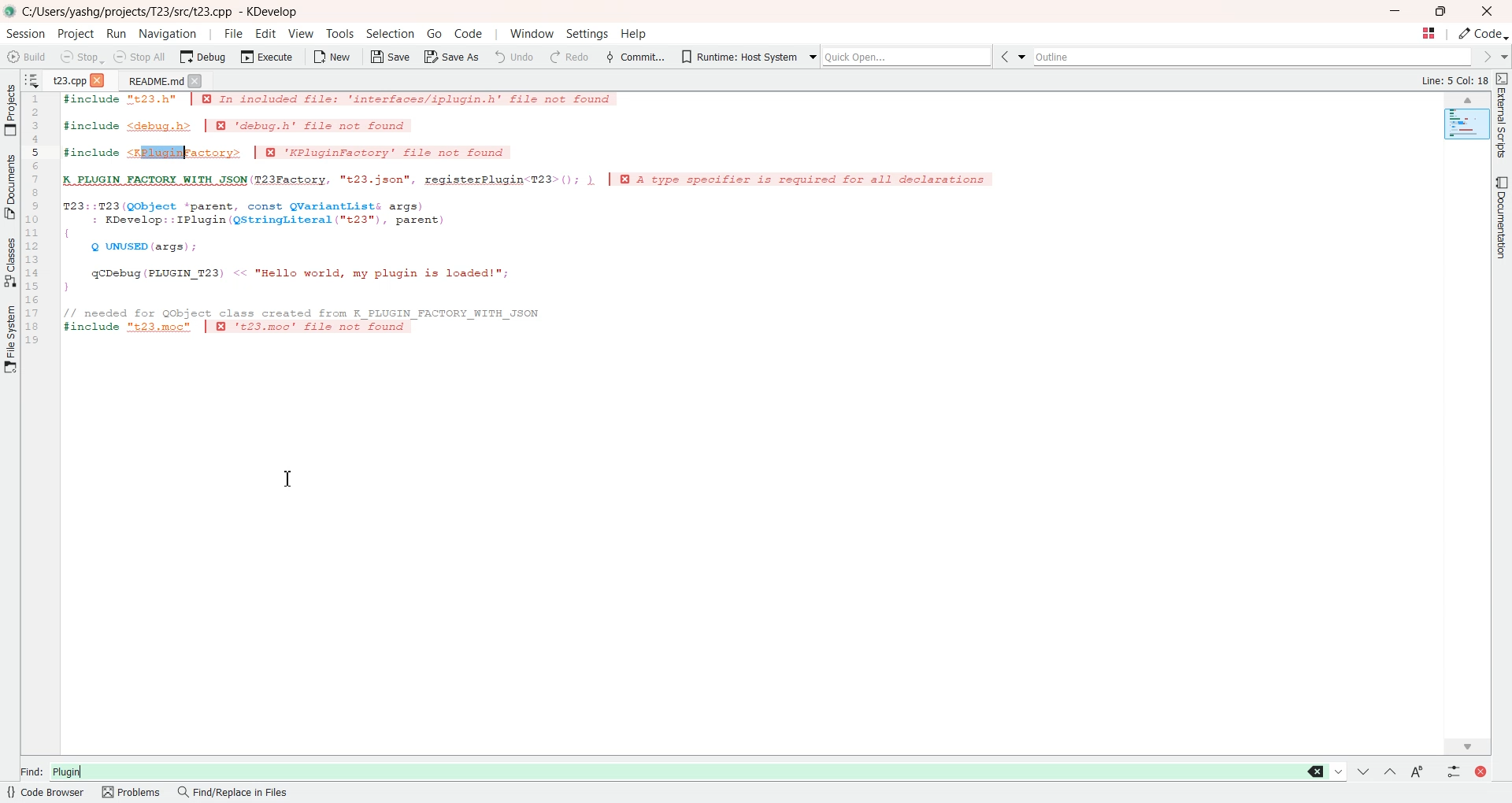 Image resolution: width=1512 pixels, height=803 pixels. What do you see at coordinates (28, 56) in the screenshot?
I see `Build` at bounding box center [28, 56].